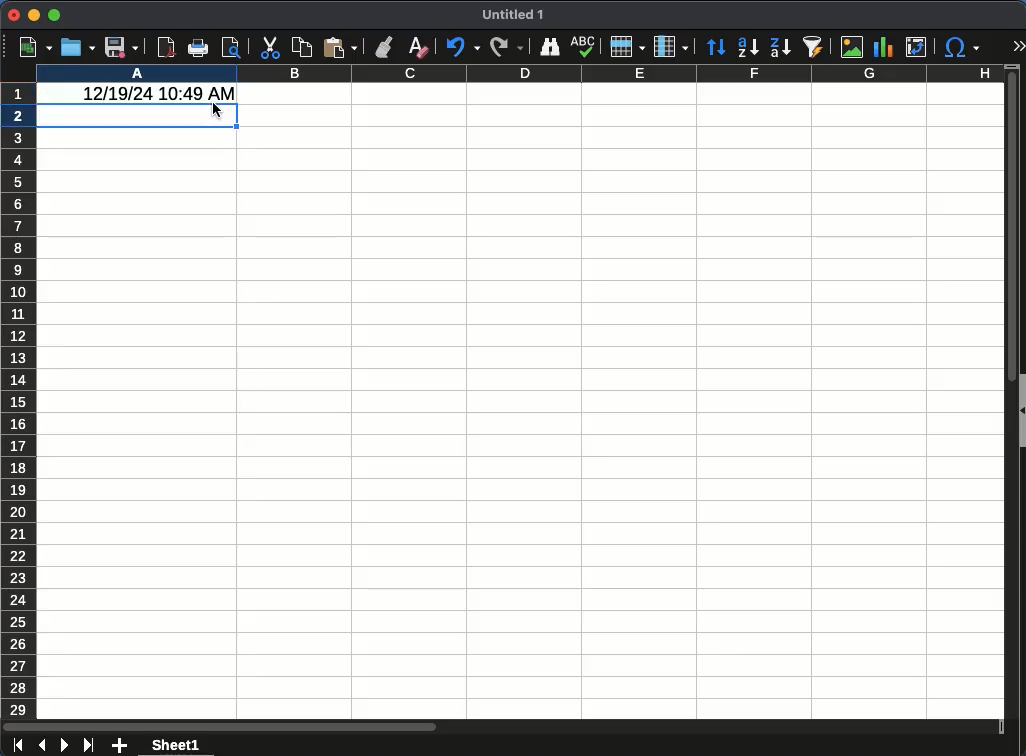 The height and width of the screenshot is (756, 1026). What do you see at coordinates (516, 15) in the screenshot?
I see `Untitled 1` at bounding box center [516, 15].